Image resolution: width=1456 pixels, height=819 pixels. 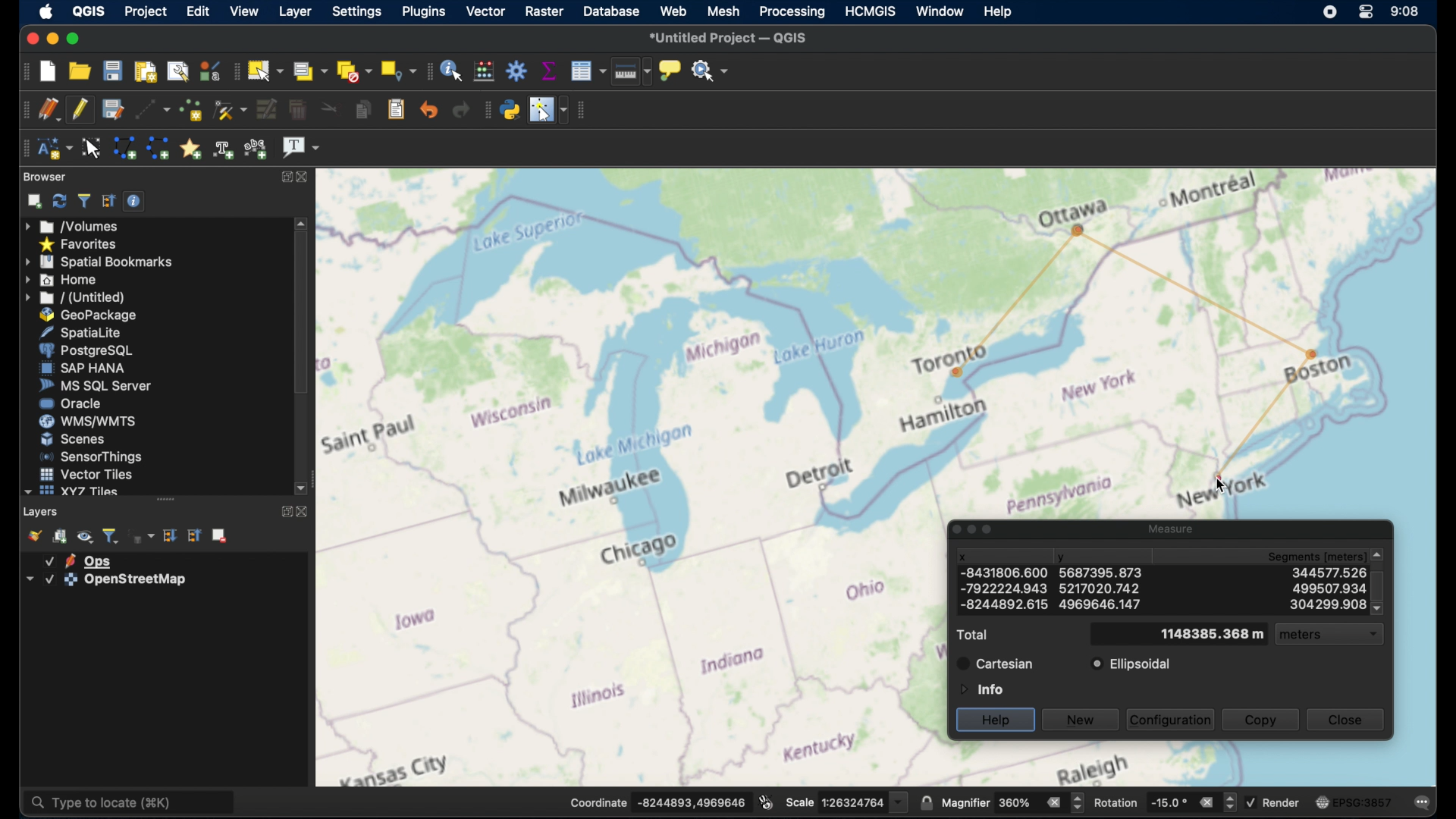 What do you see at coordinates (190, 147) in the screenshot?
I see `create annotation marker` at bounding box center [190, 147].